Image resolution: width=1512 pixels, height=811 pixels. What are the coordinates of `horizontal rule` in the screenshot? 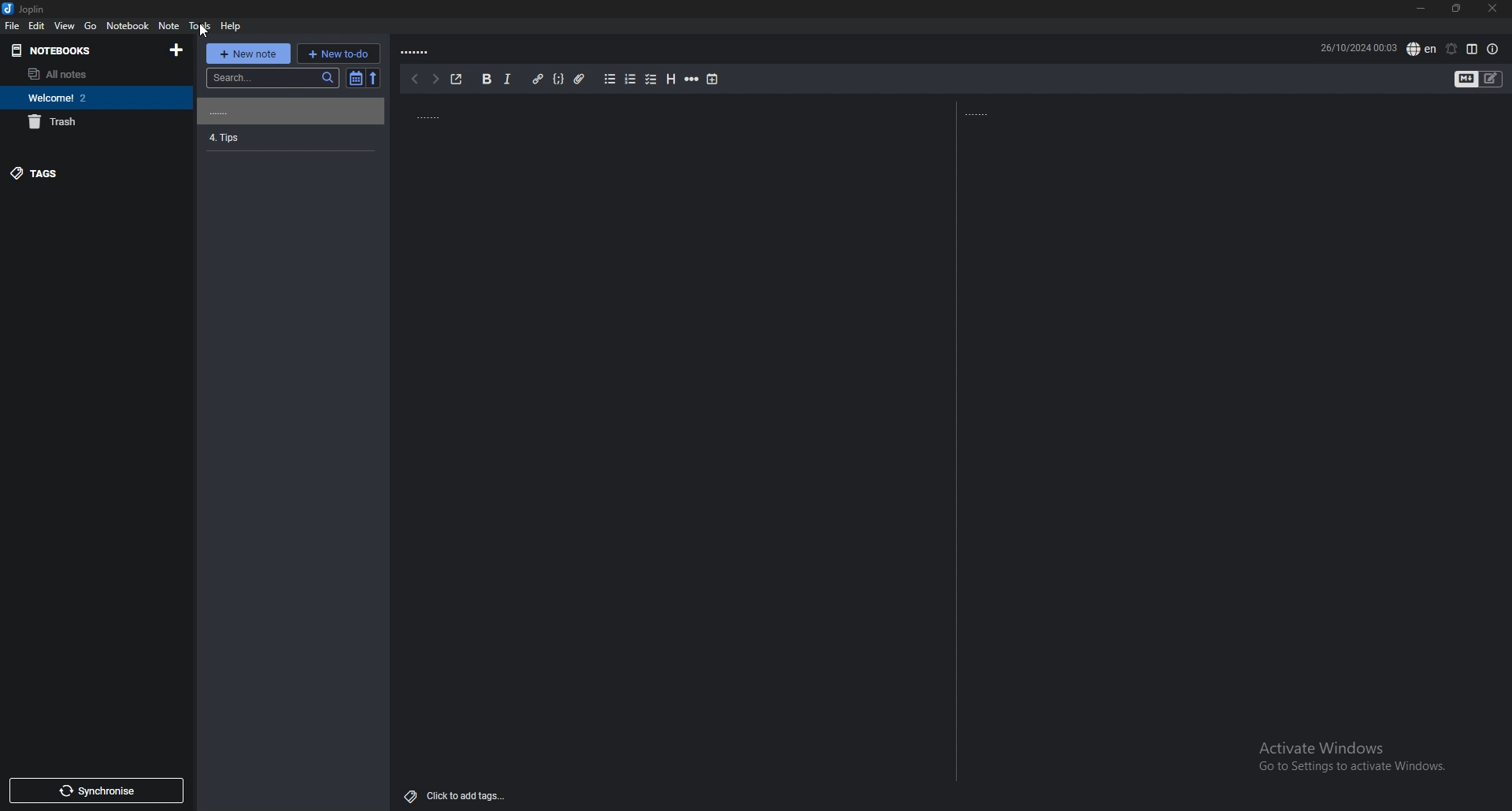 It's located at (692, 80).